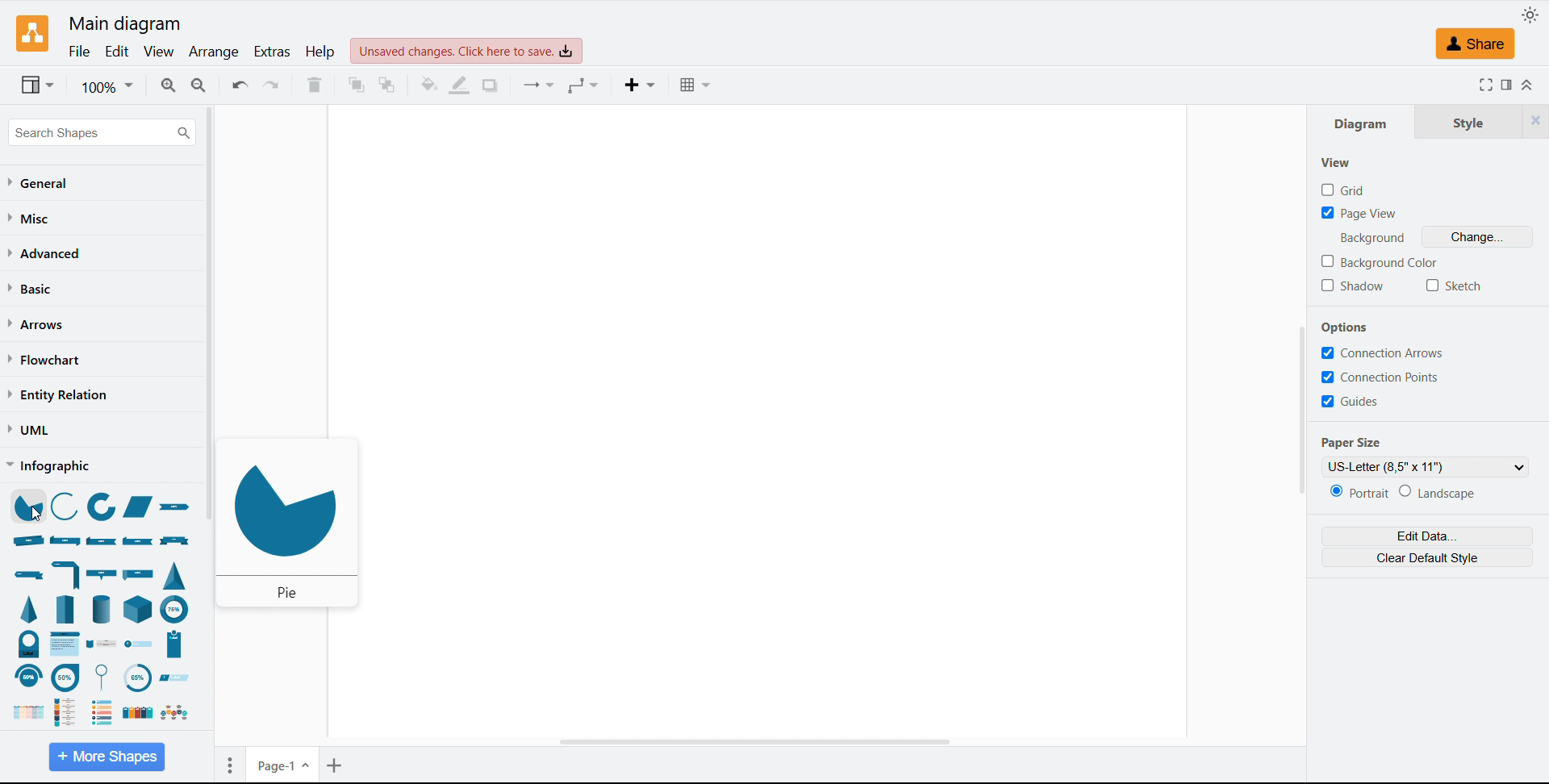 The image size is (1549, 784). I want to click on Arrange , so click(215, 52).